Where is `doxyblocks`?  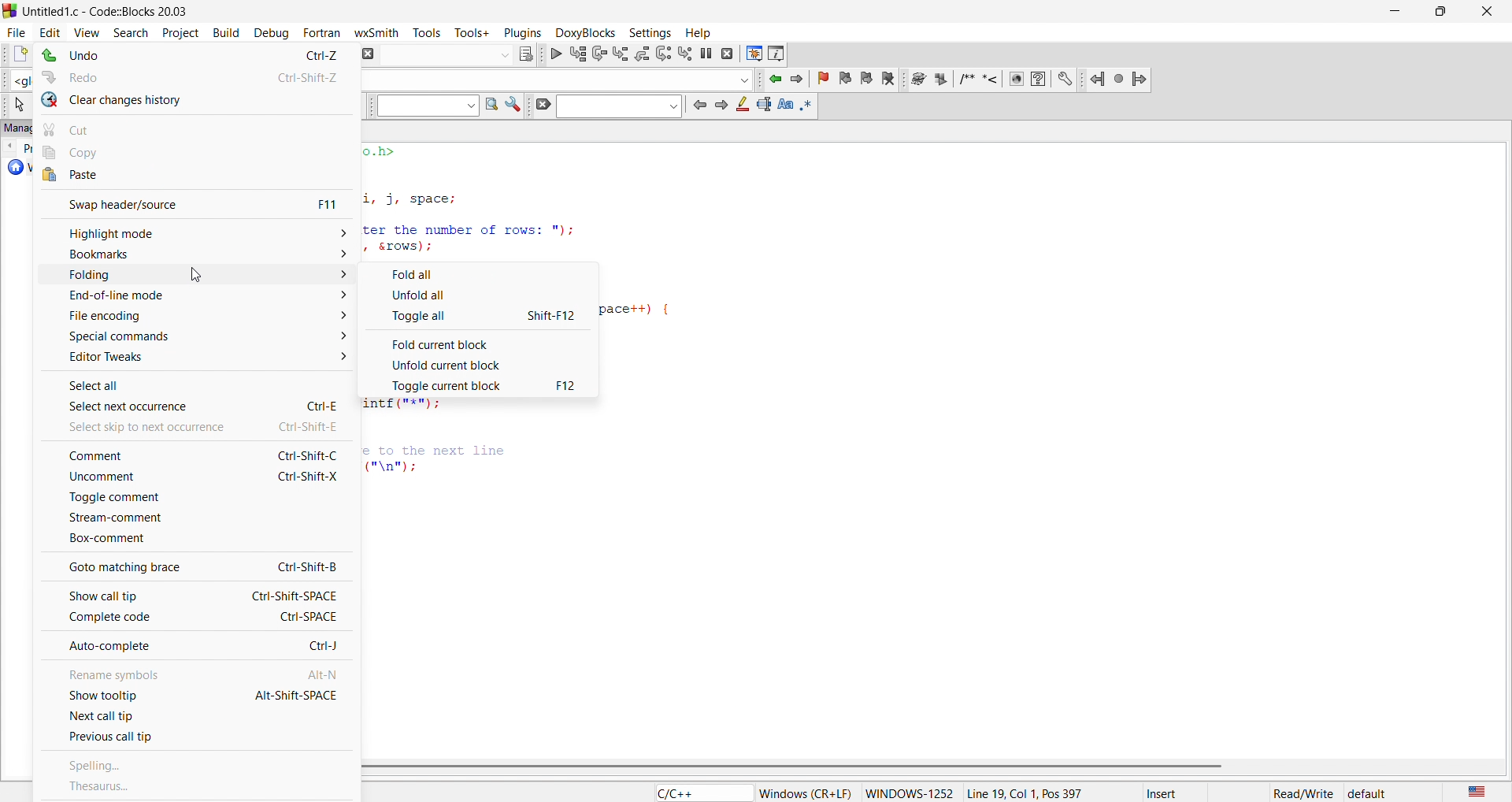 doxyblocks is located at coordinates (583, 31).